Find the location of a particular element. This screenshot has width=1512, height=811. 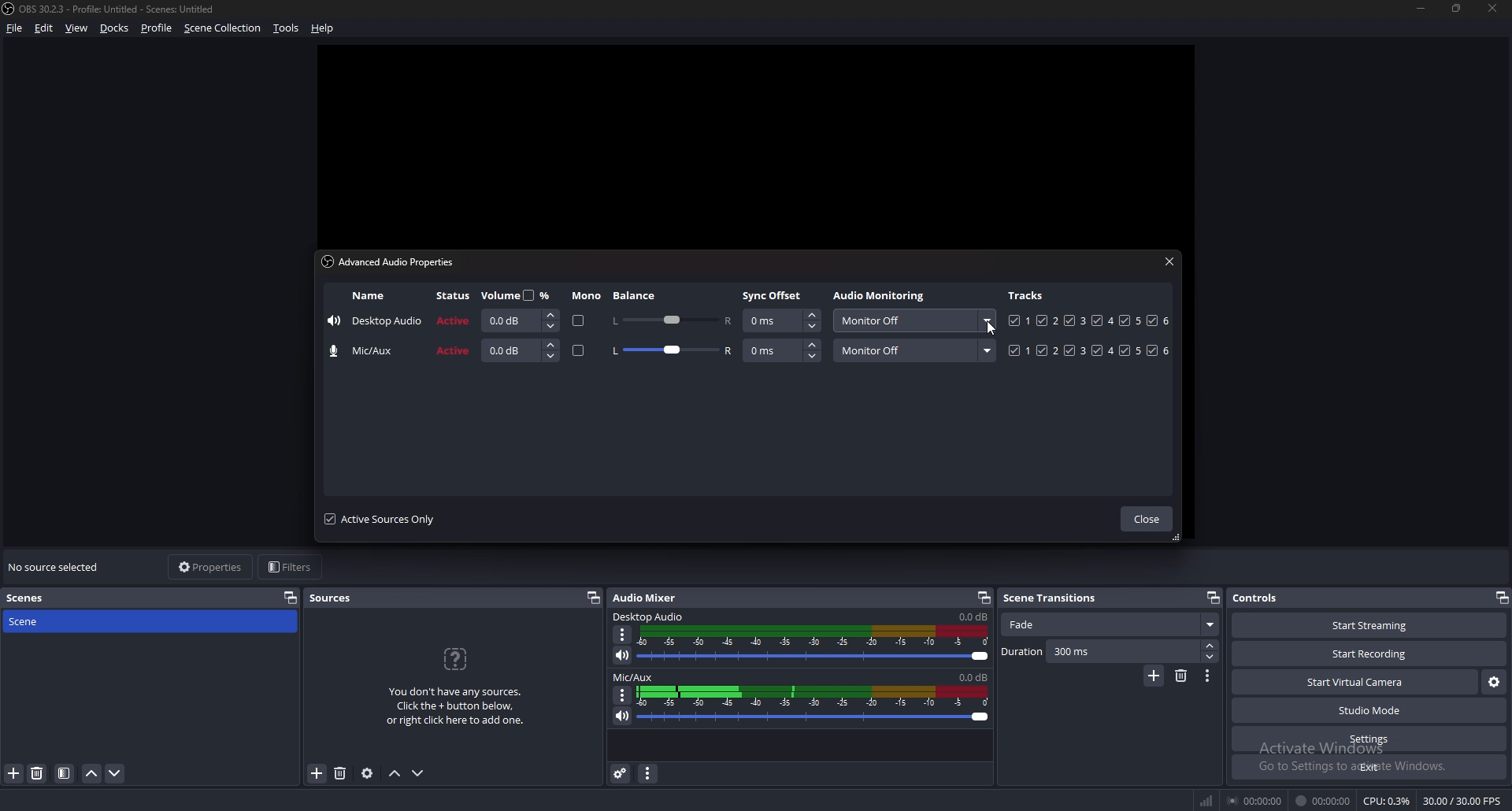

mic/aux sound bar is located at coordinates (813, 703).